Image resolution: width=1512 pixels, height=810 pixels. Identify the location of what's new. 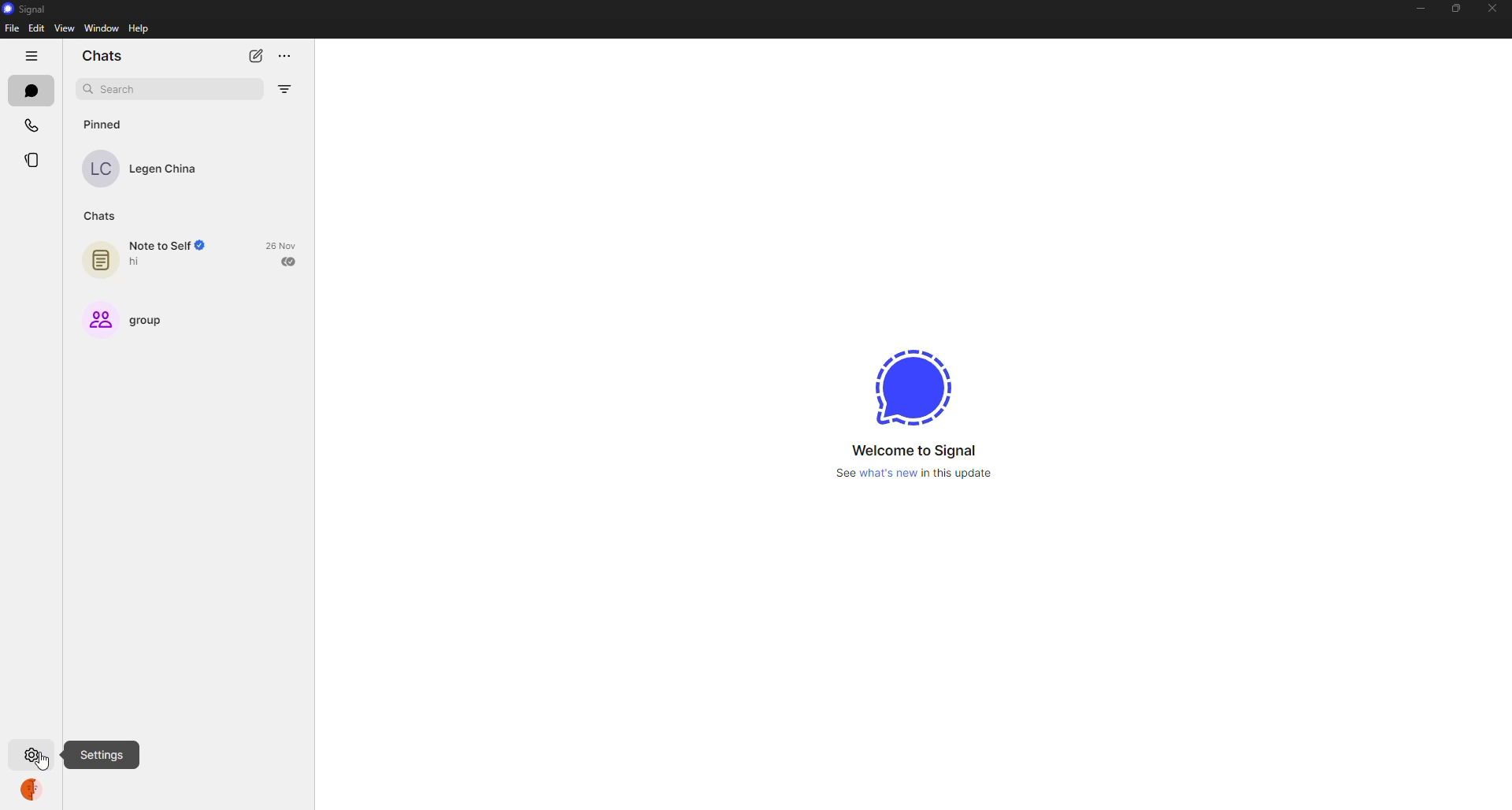
(913, 474).